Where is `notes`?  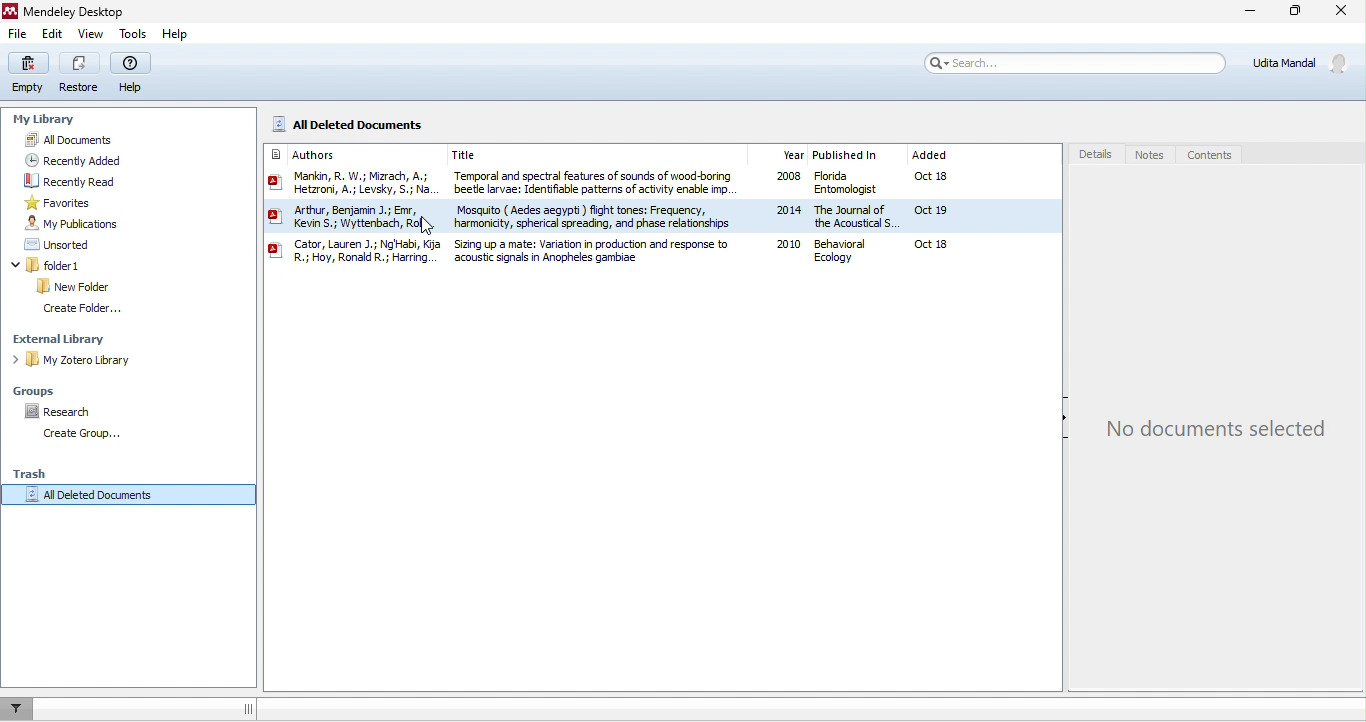 notes is located at coordinates (1148, 155).